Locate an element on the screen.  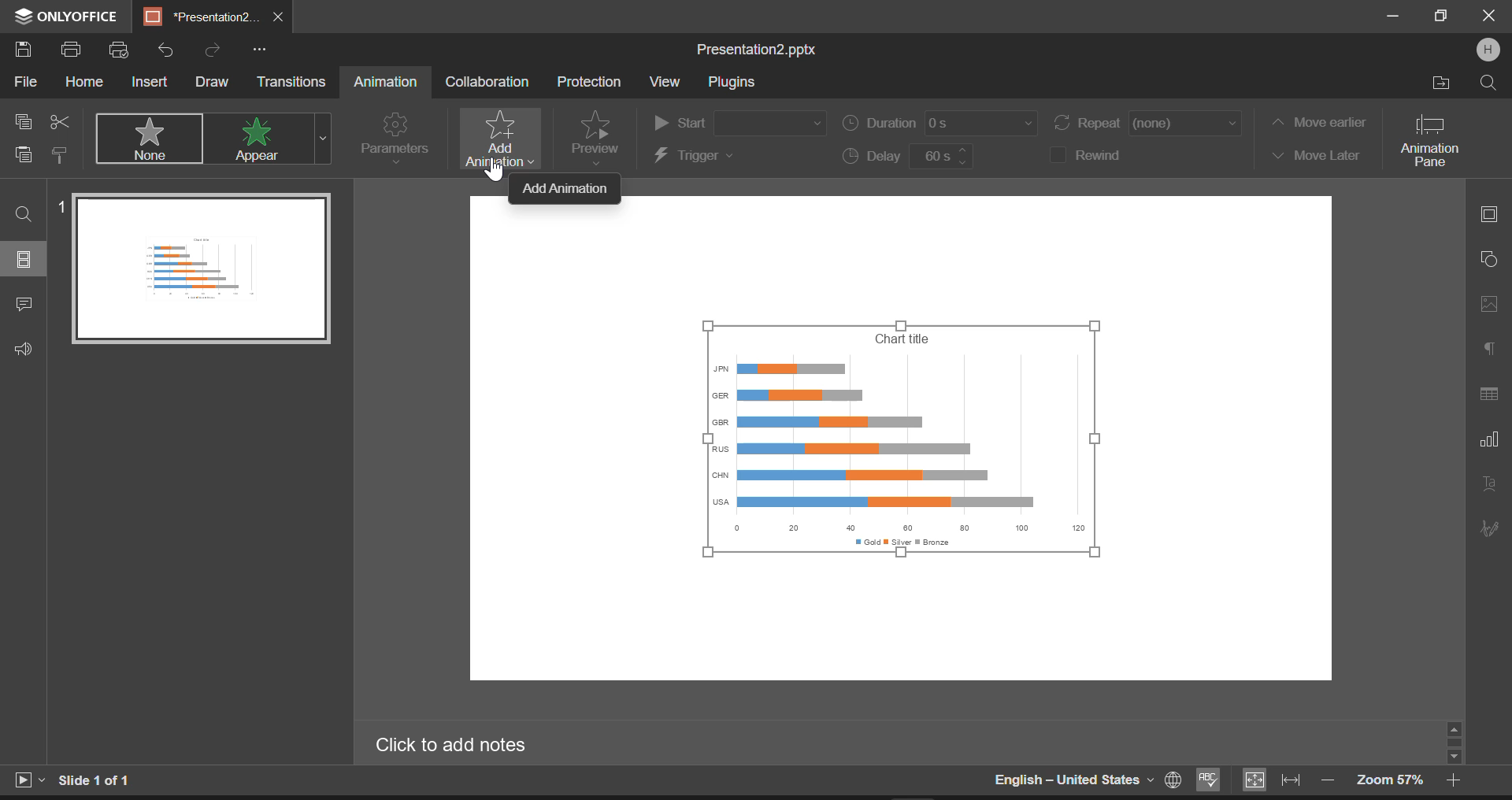
Presentation2.pptx is located at coordinates (762, 50).